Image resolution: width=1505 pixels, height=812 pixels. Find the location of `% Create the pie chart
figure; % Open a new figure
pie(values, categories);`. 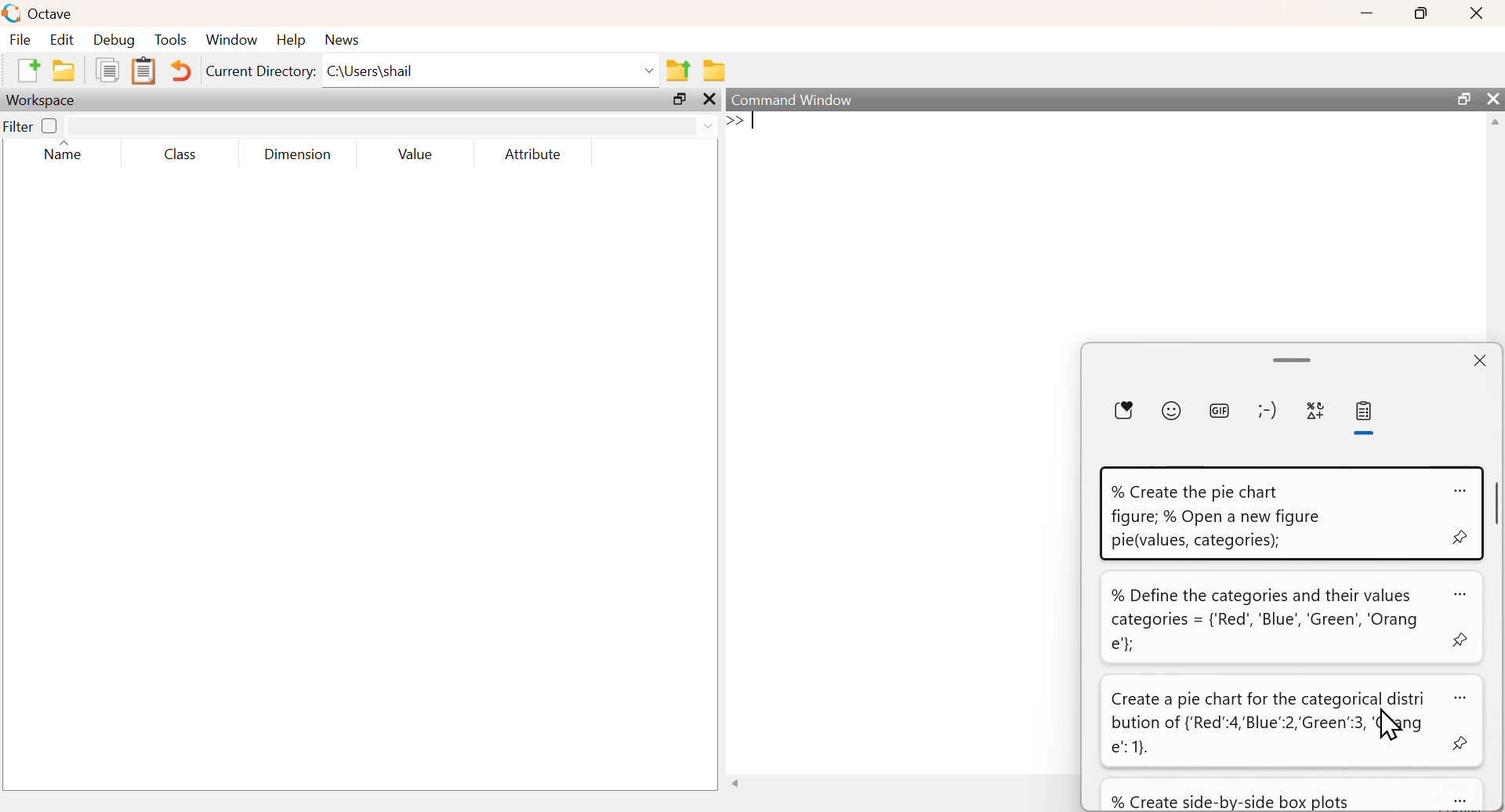

% Create the pie chart
figure; % Open a new figure
pie(values, categories); is located at coordinates (1217, 517).